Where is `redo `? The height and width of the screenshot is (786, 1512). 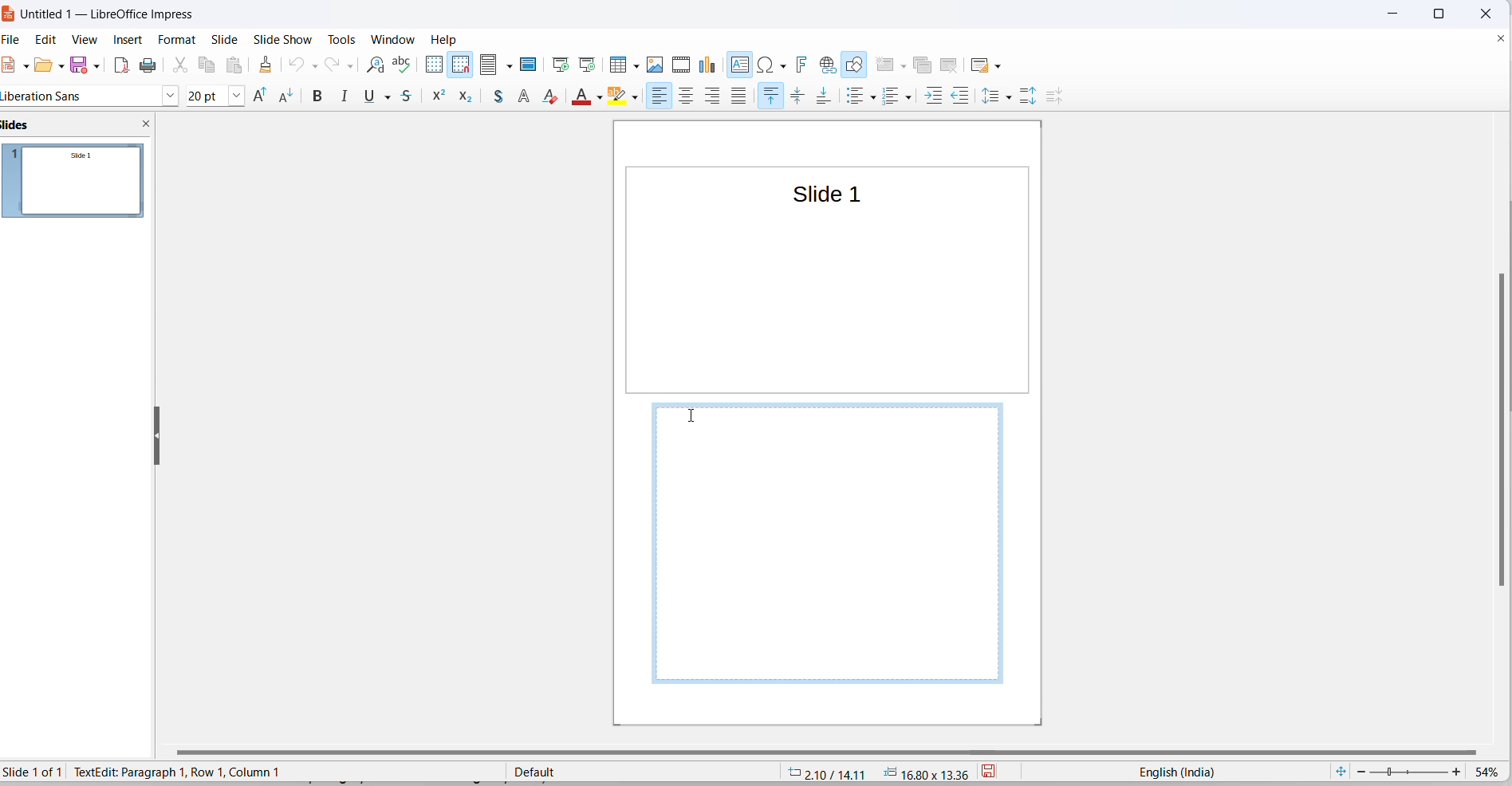 redo  is located at coordinates (333, 65).